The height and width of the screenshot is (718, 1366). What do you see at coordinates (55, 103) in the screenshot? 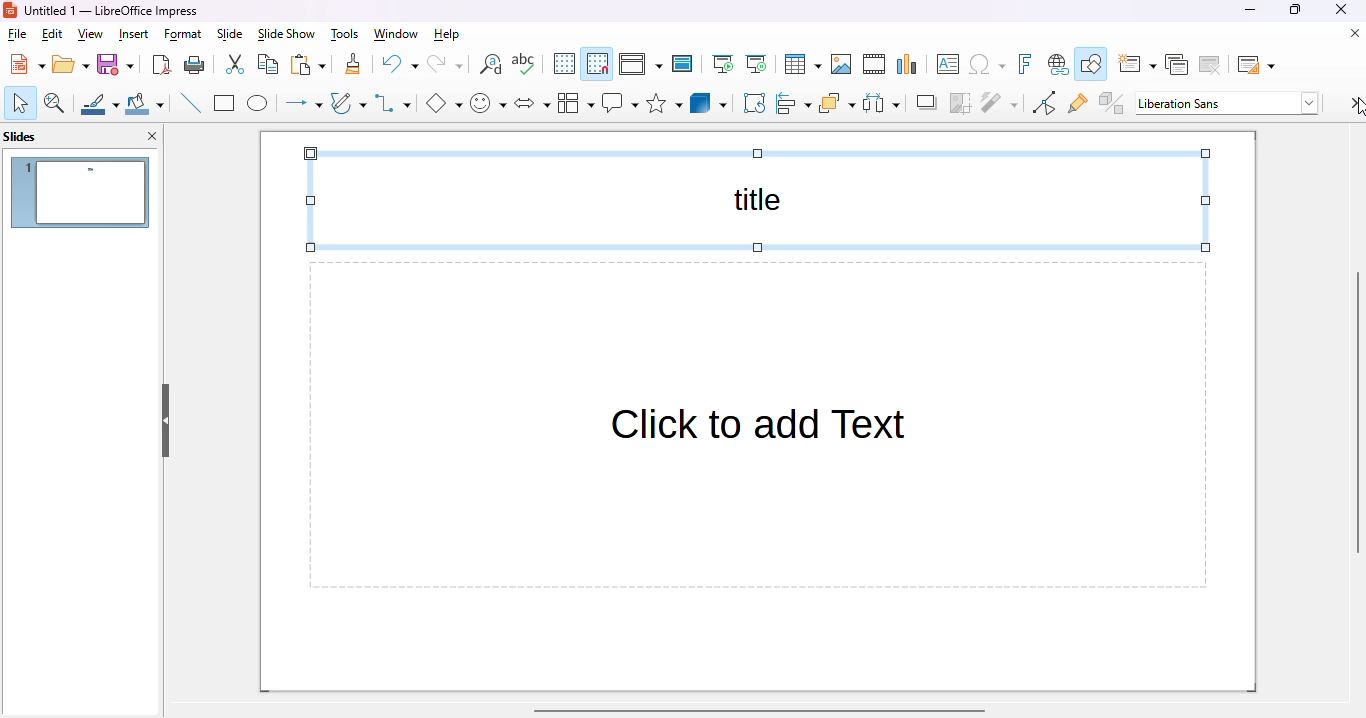
I see `zoom & pan` at bounding box center [55, 103].